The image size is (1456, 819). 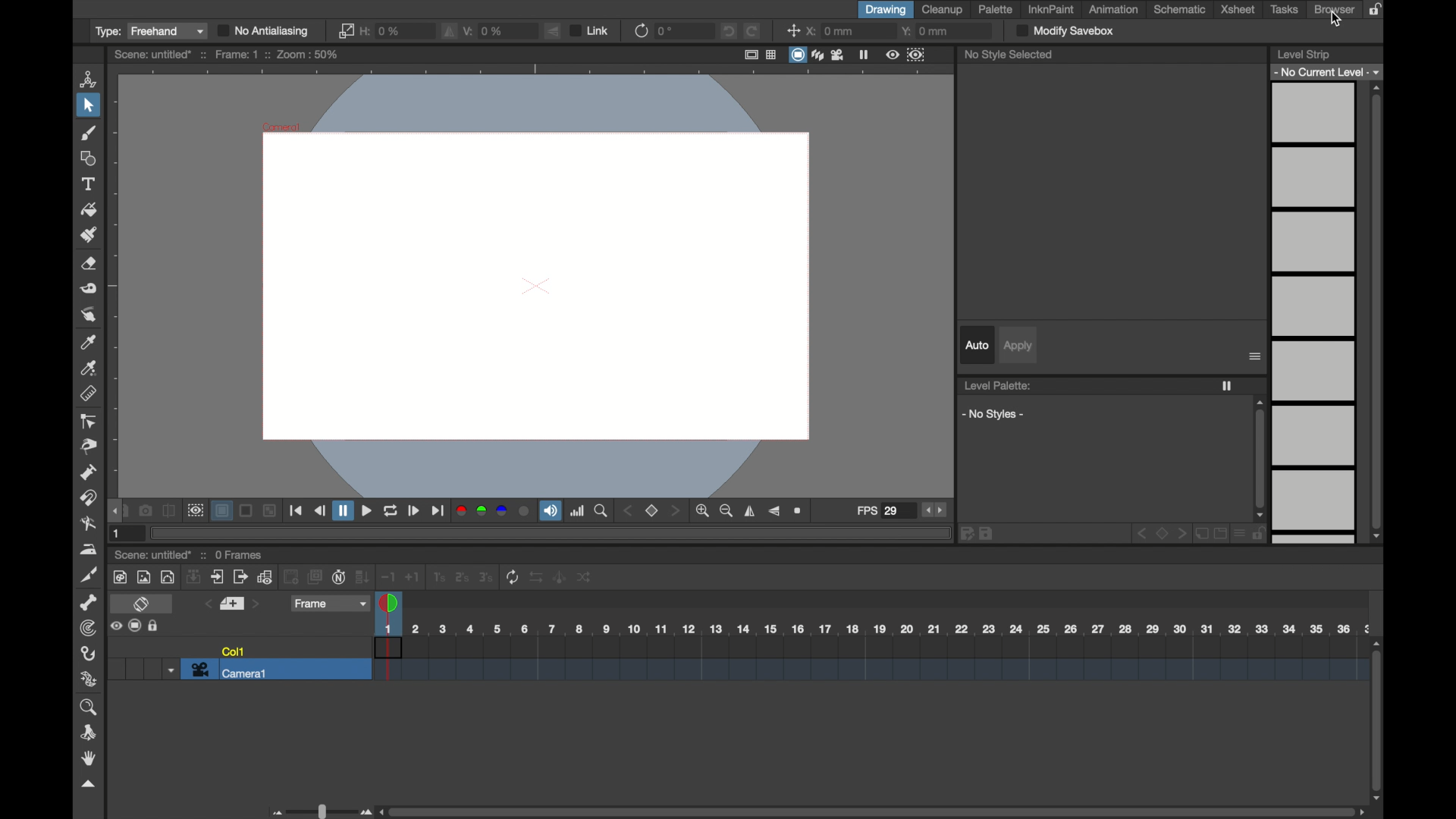 I want to click on apply, so click(x=1018, y=346).